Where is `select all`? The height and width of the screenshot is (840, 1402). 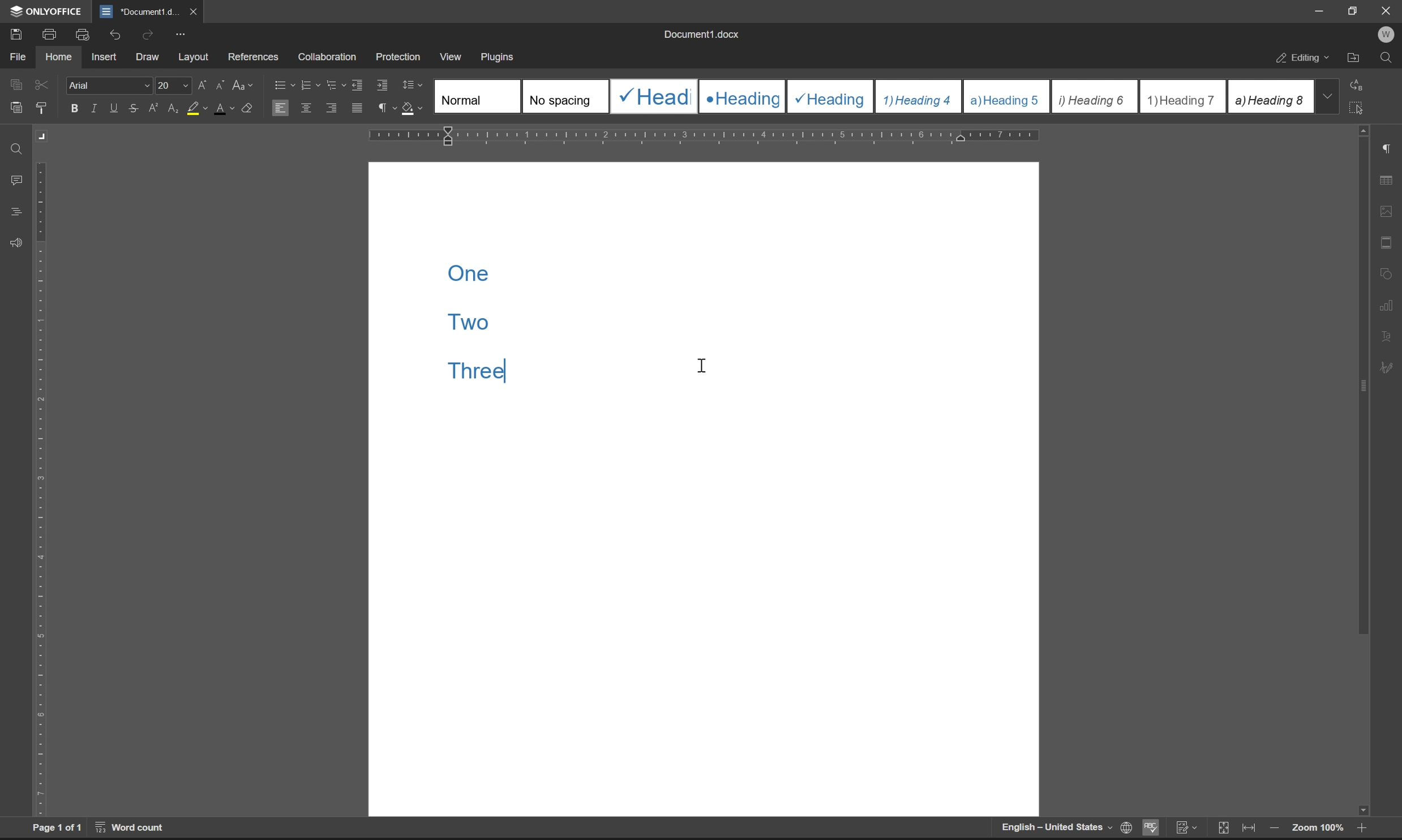 select all is located at coordinates (1359, 107).